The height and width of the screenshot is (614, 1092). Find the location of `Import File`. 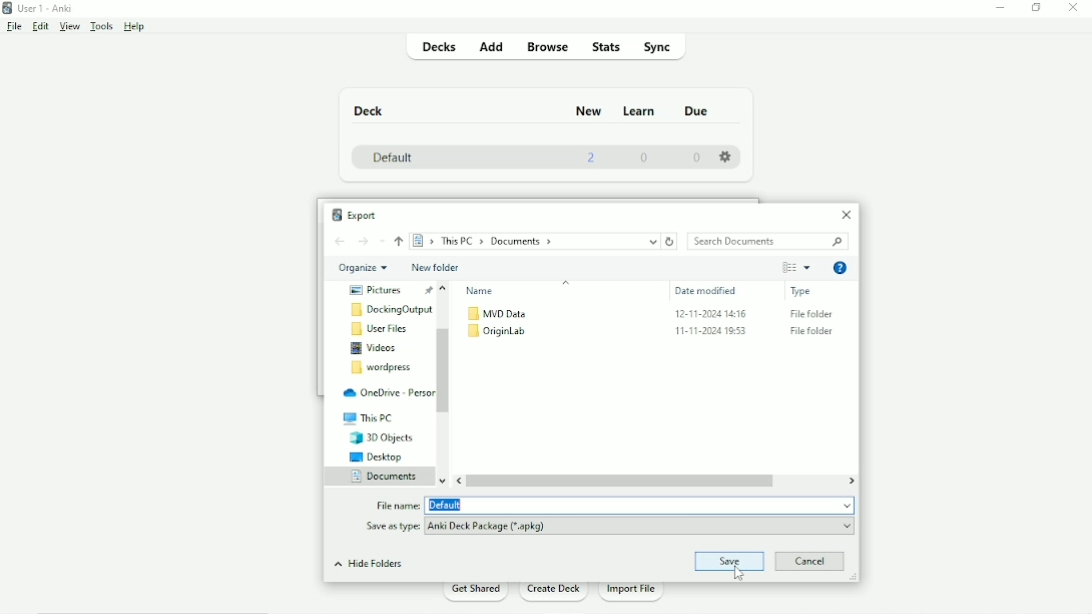

Import File is located at coordinates (631, 592).